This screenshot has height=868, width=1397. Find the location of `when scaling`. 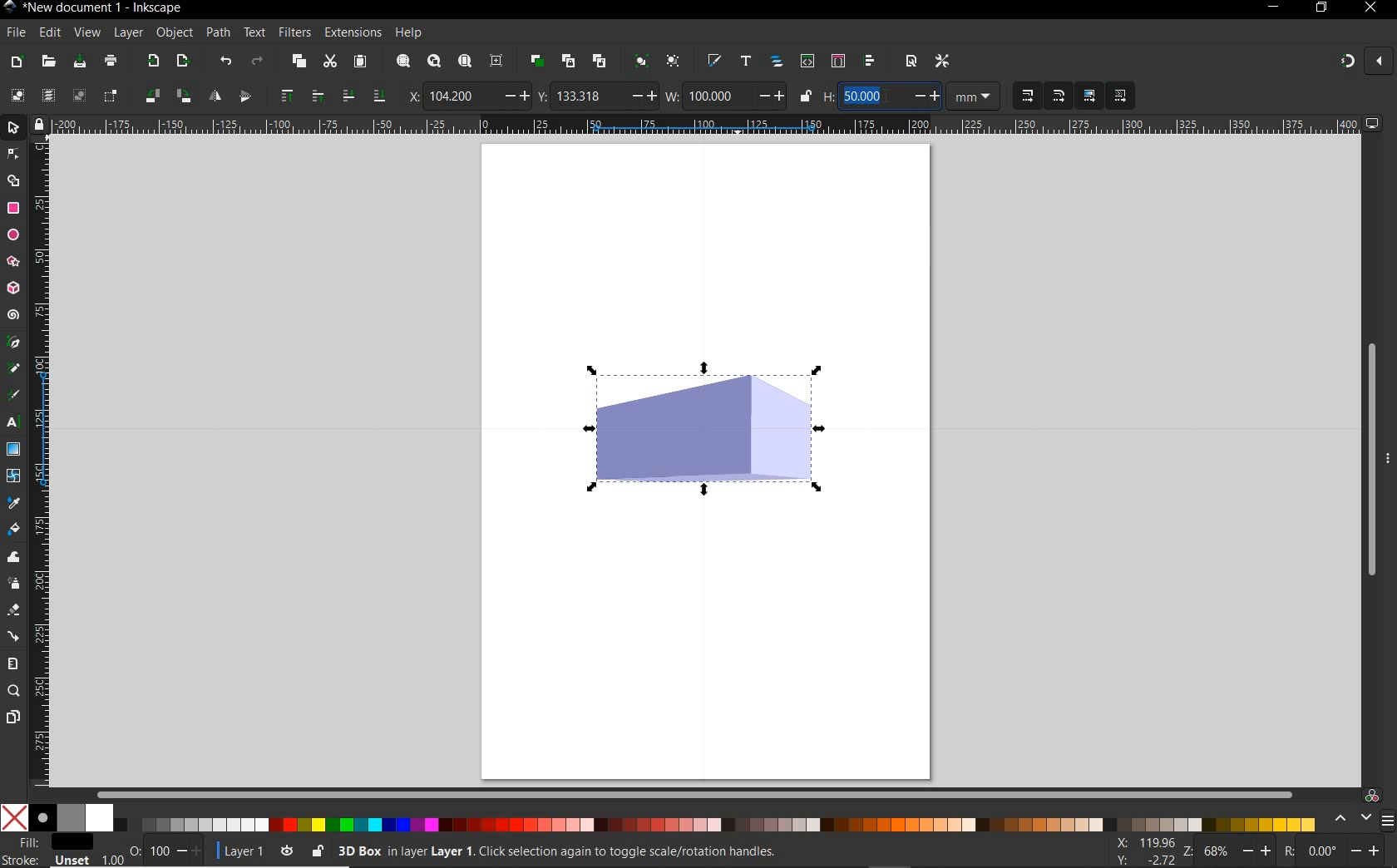

when scaling is located at coordinates (1059, 96).